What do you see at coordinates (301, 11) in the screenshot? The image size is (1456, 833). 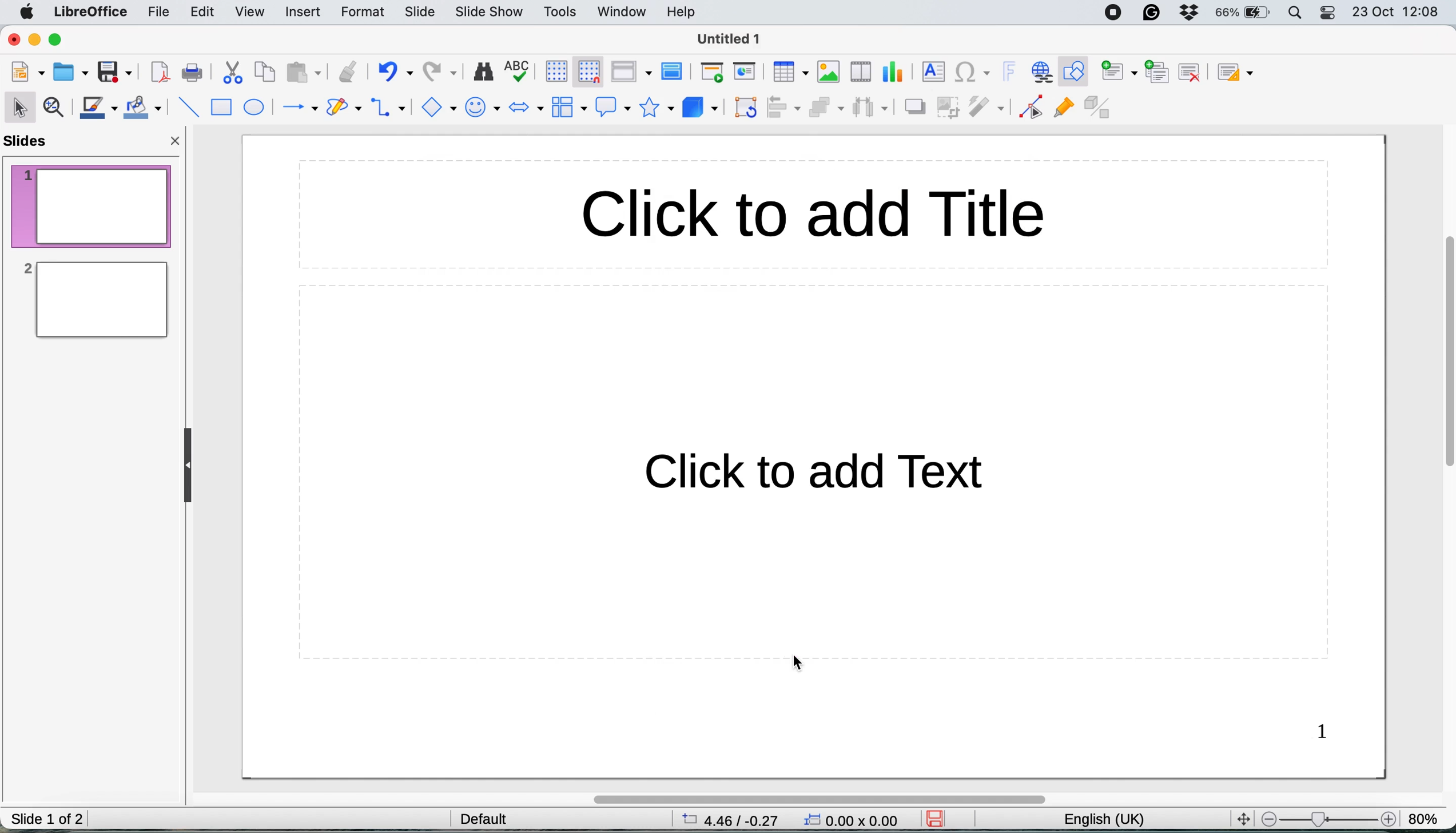 I see `insert` at bounding box center [301, 11].